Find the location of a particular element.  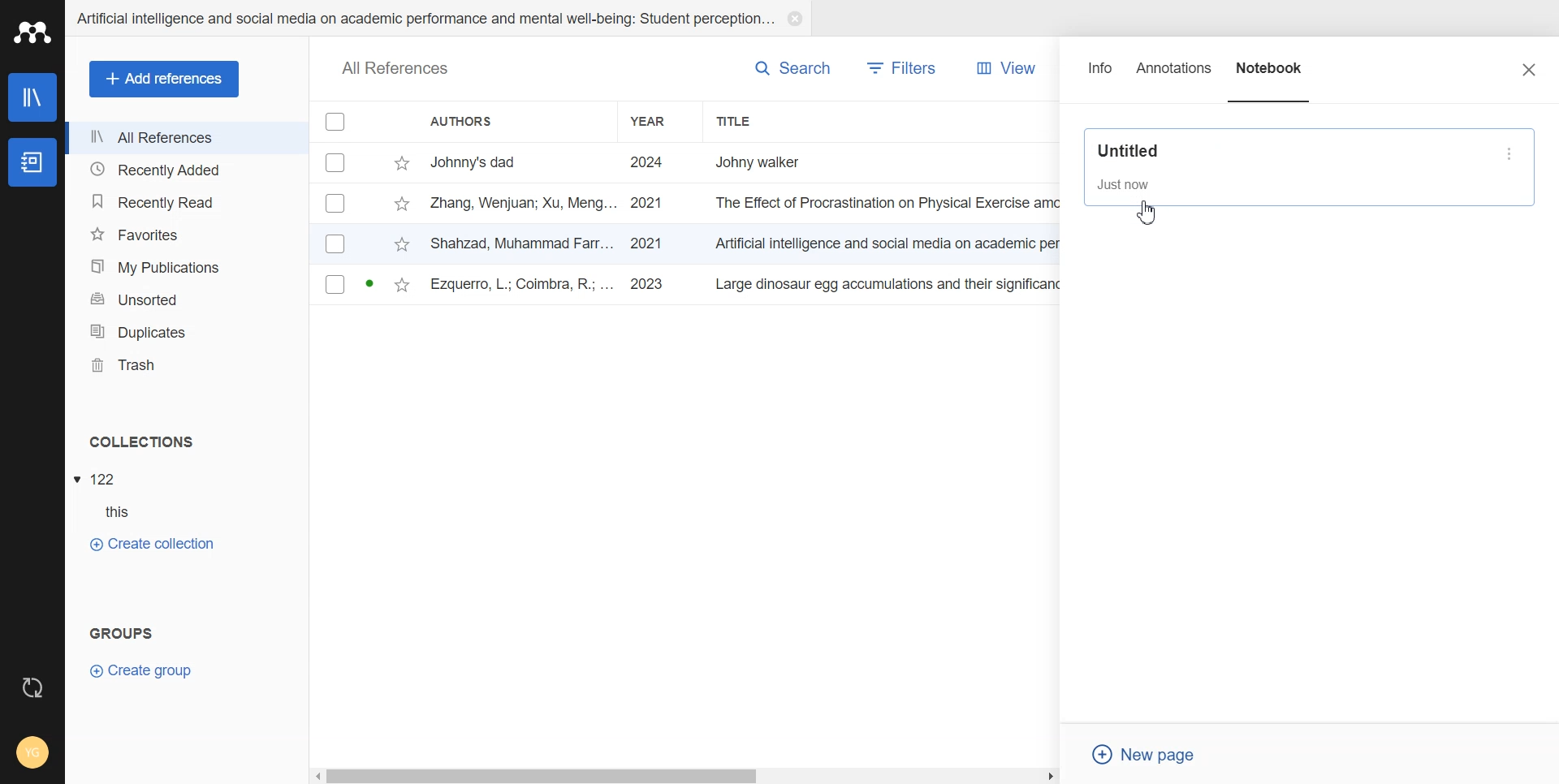

Add references is located at coordinates (165, 80).